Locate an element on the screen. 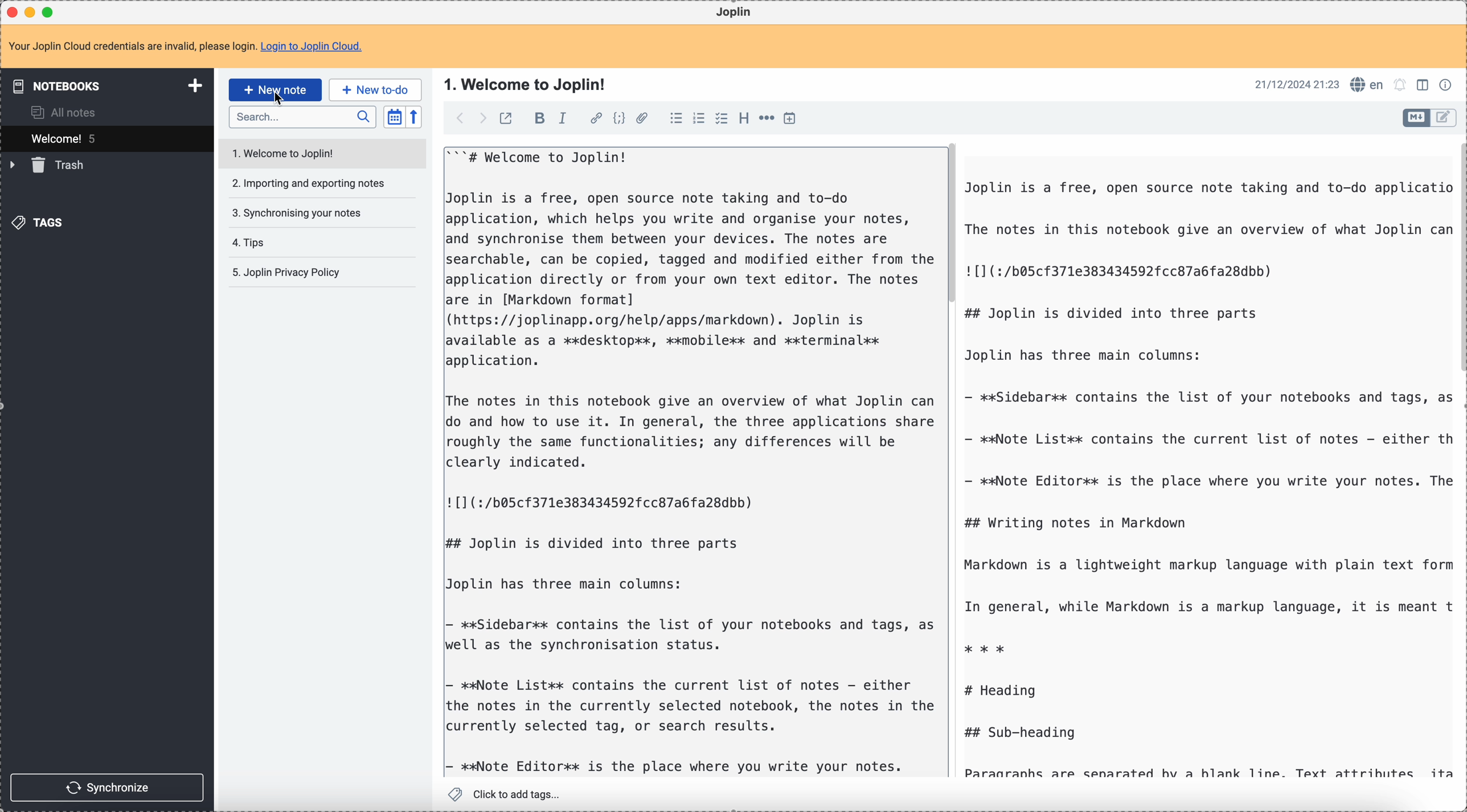  date and hour is located at coordinates (1297, 84).